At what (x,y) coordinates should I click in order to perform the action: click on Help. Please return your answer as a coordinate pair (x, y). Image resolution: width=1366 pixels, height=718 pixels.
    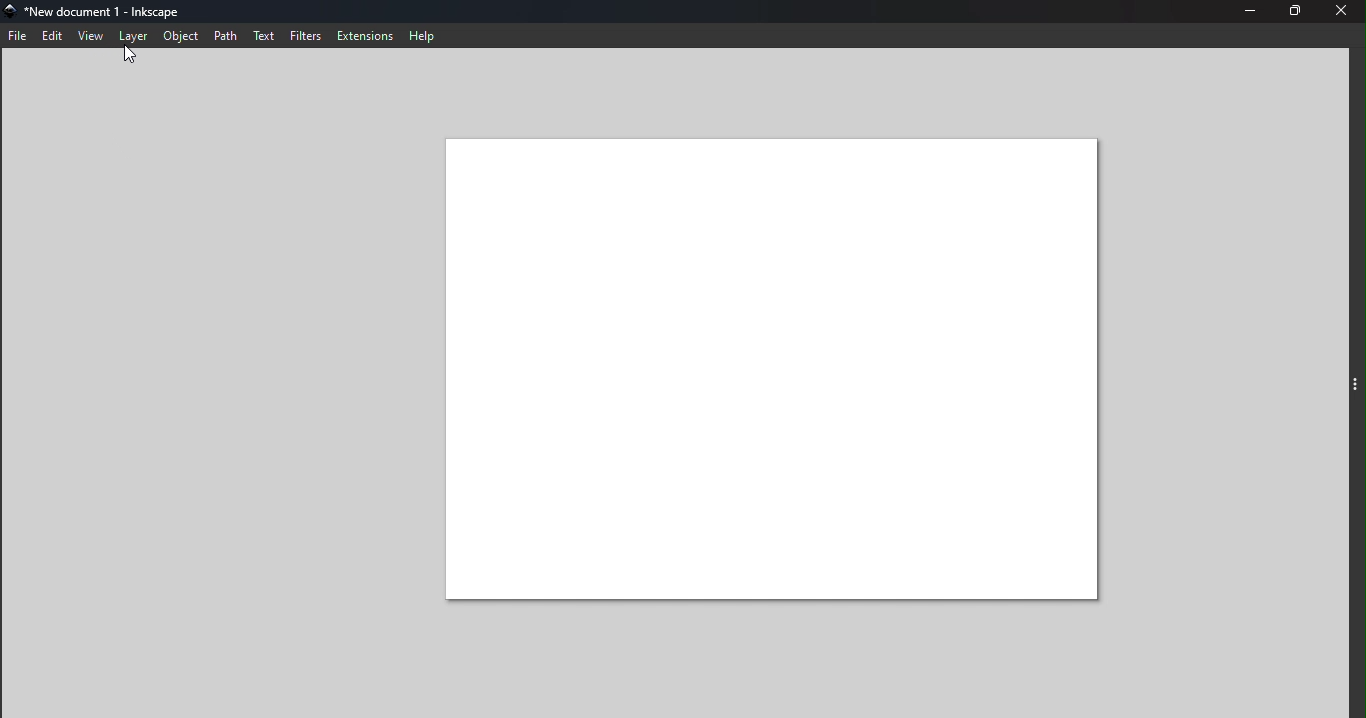
    Looking at the image, I should click on (426, 37).